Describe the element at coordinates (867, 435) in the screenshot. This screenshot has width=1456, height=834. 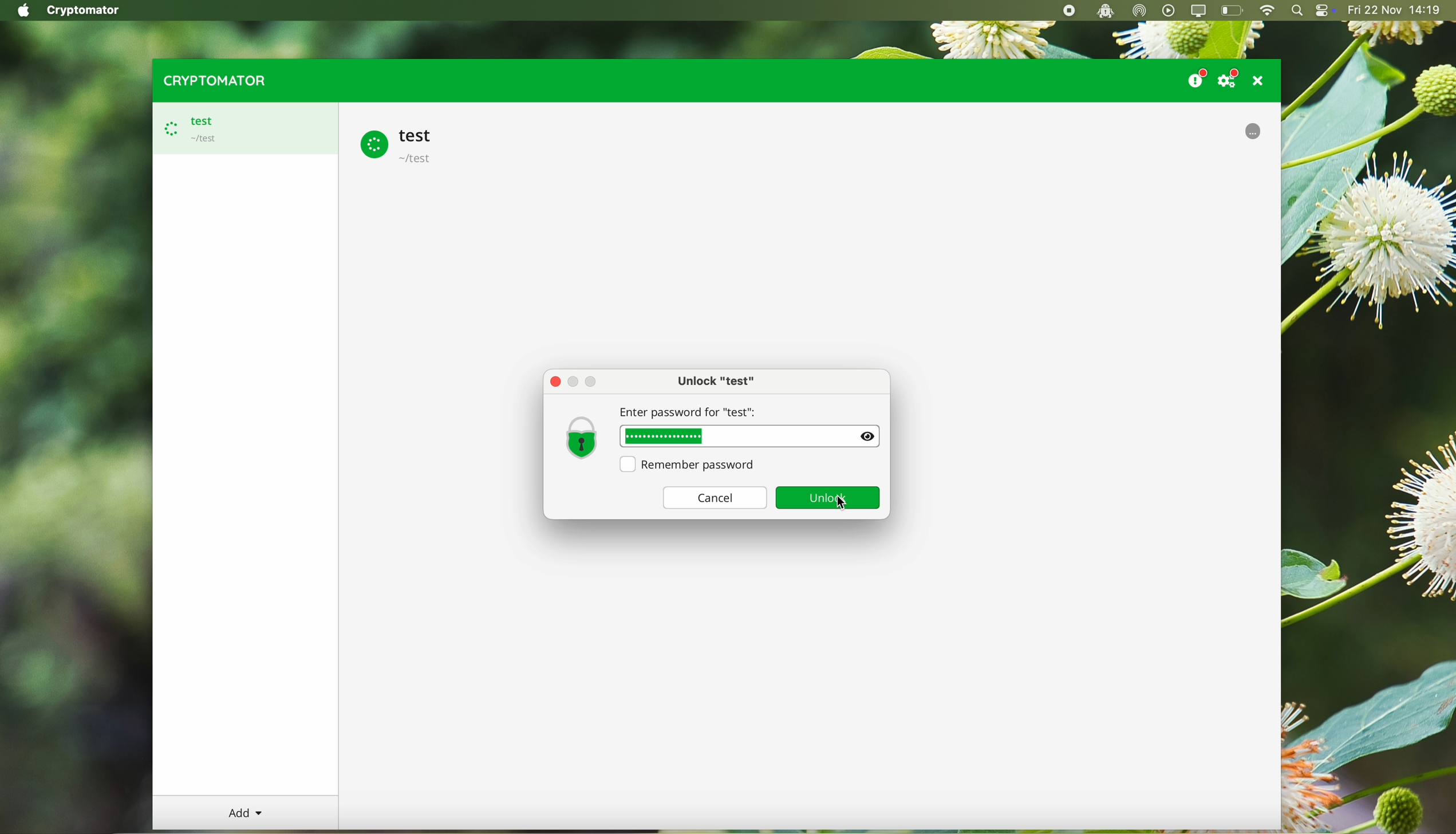
I see `Show` at that location.